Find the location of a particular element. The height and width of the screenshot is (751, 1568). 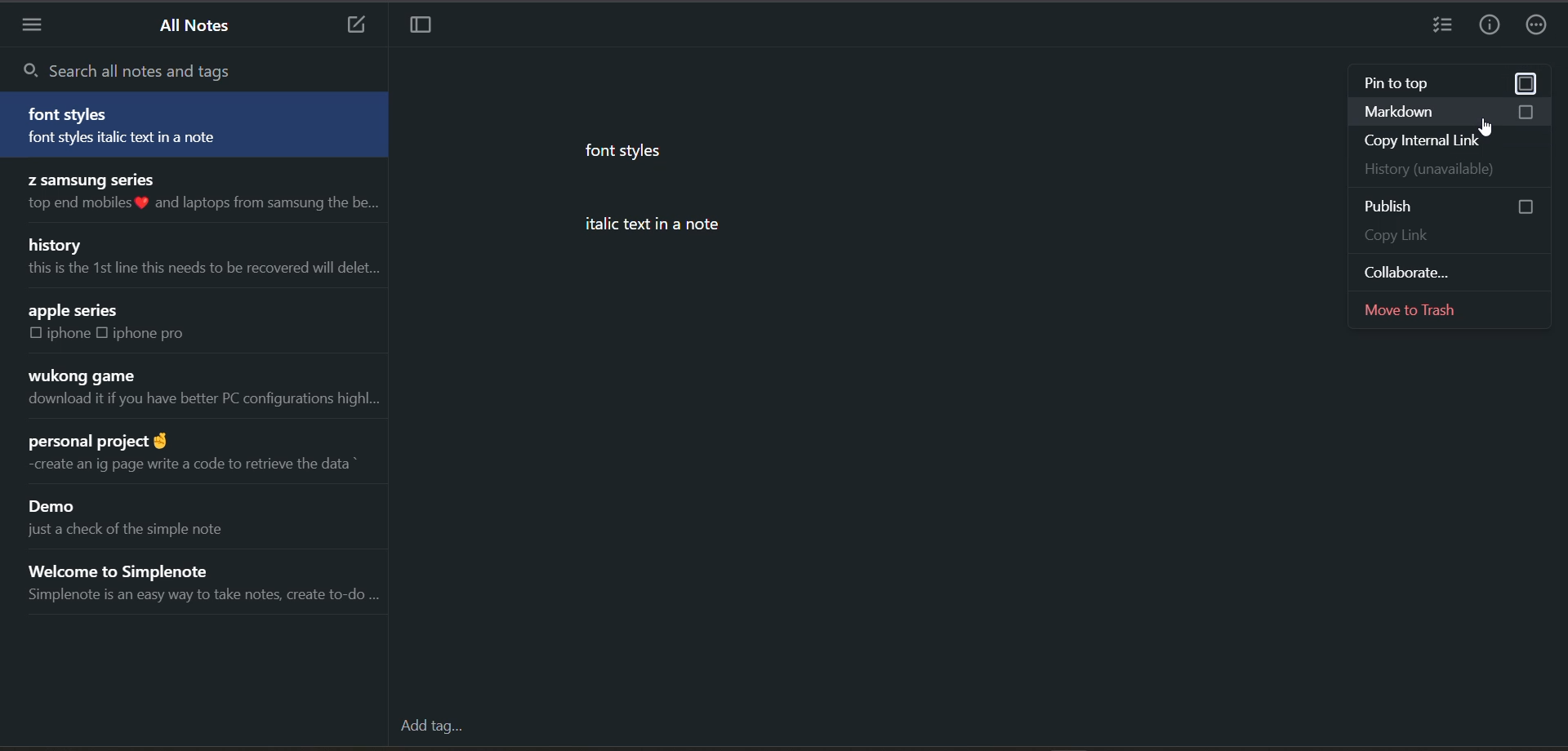

history is located at coordinates (1450, 169).